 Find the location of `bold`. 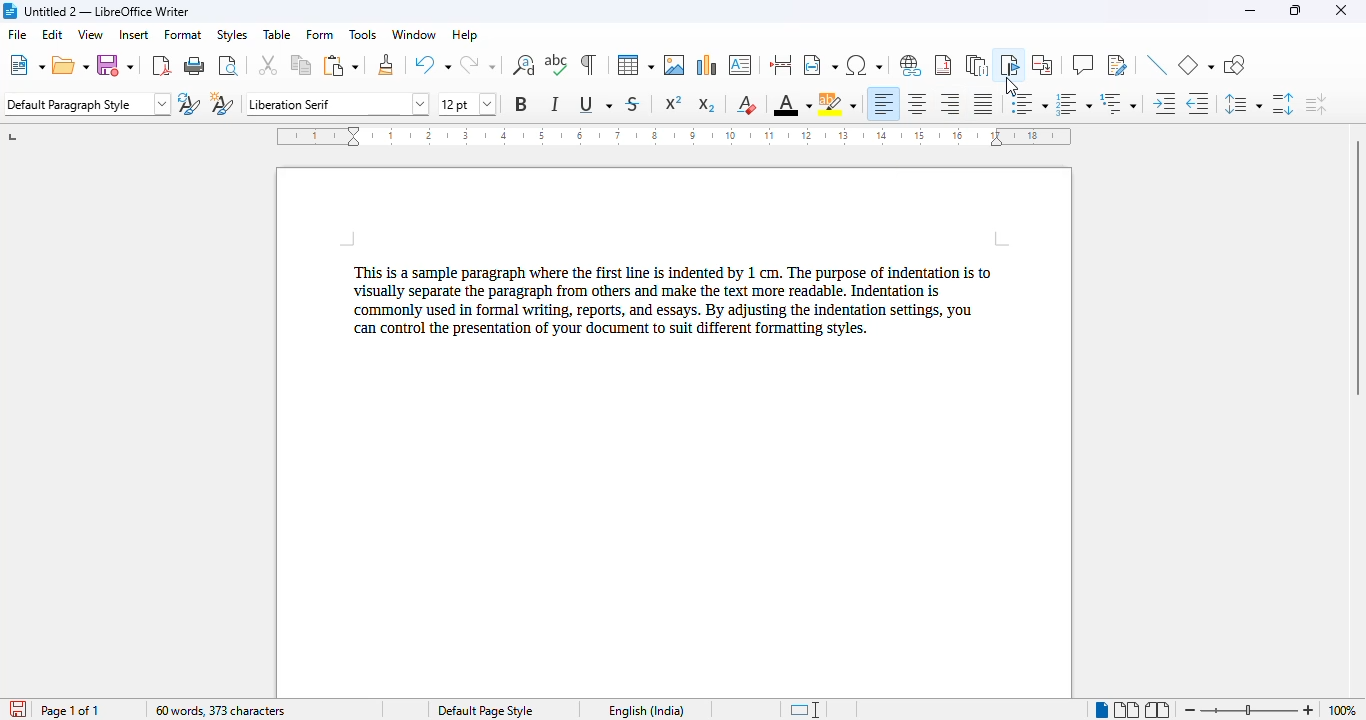

bold is located at coordinates (521, 104).